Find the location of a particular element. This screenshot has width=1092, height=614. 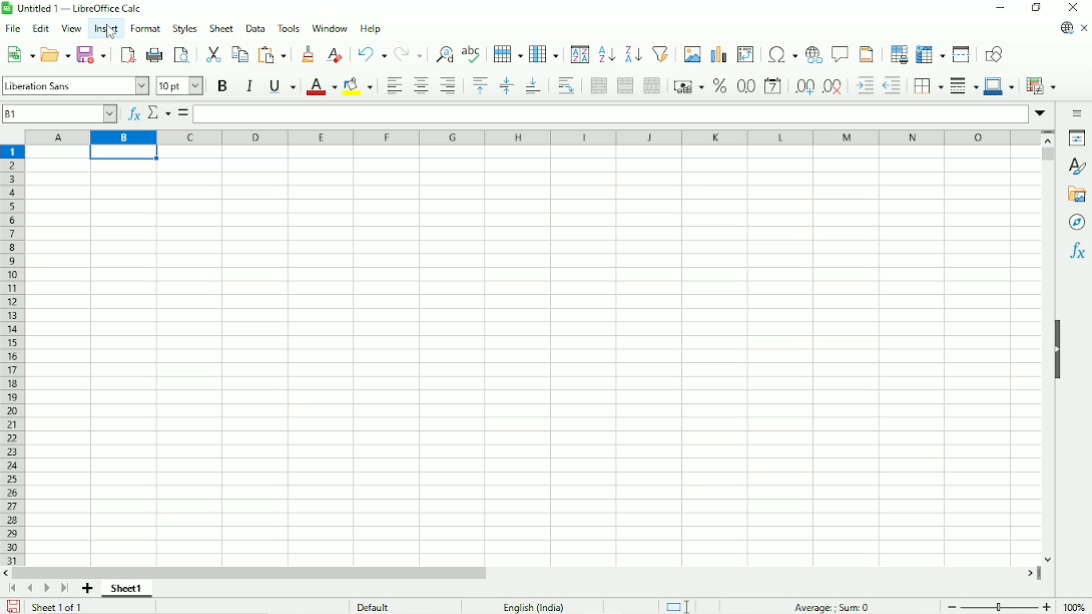

Merge cells is located at coordinates (625, 85).